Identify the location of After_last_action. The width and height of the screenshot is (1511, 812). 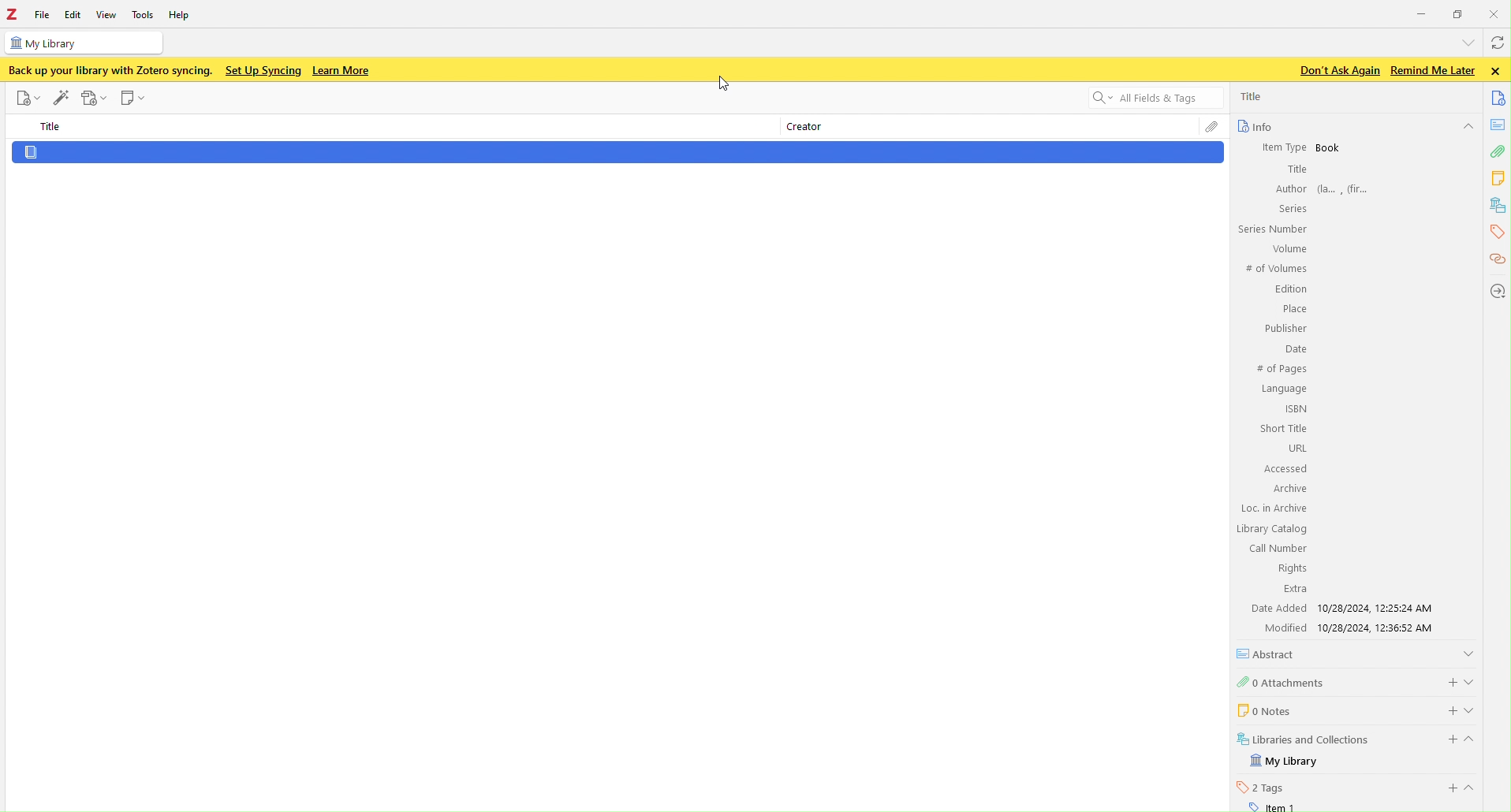
(613, 166).